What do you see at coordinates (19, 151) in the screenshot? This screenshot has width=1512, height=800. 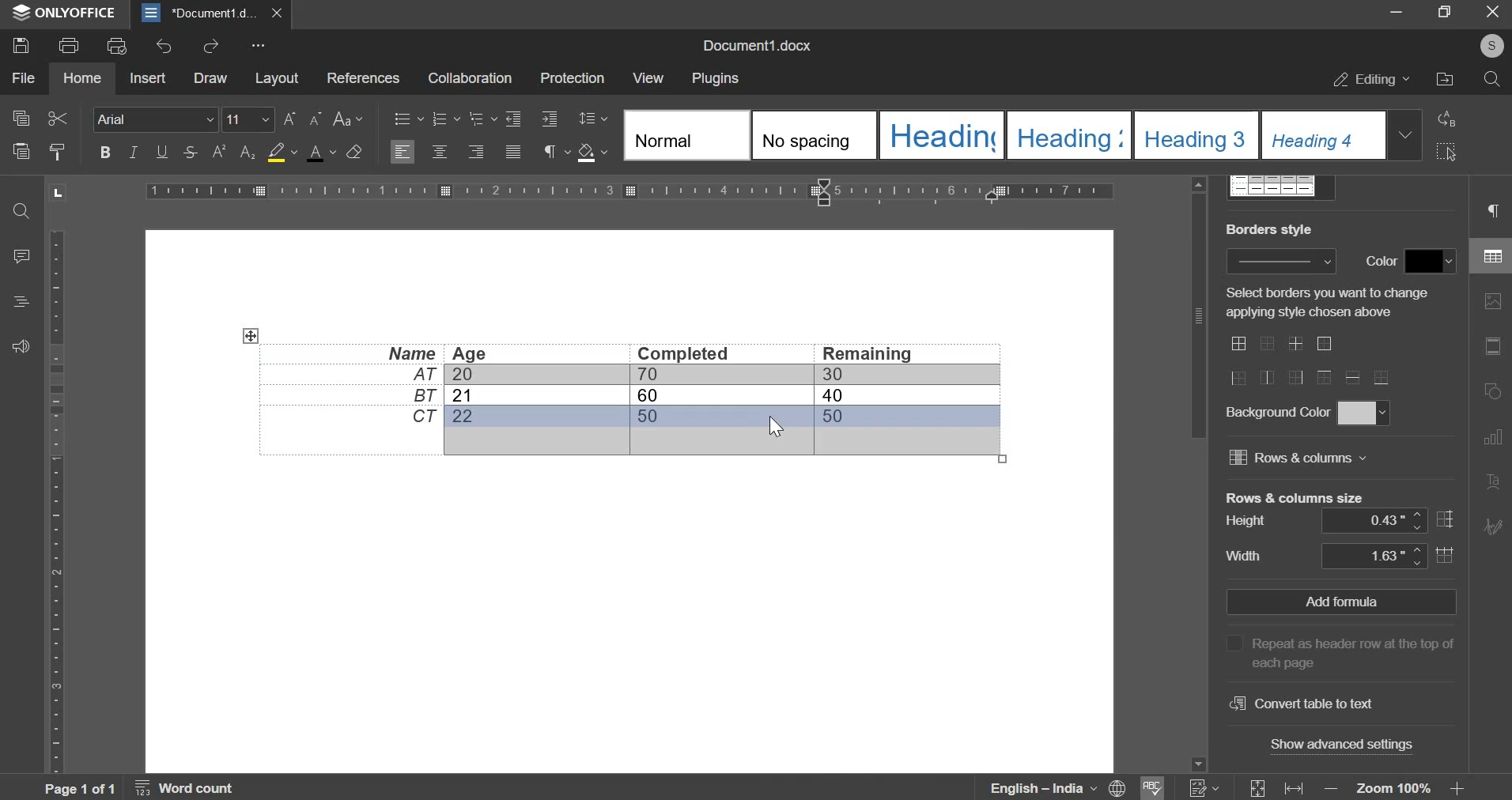 I see `paste` at bounding box center [19, 151].